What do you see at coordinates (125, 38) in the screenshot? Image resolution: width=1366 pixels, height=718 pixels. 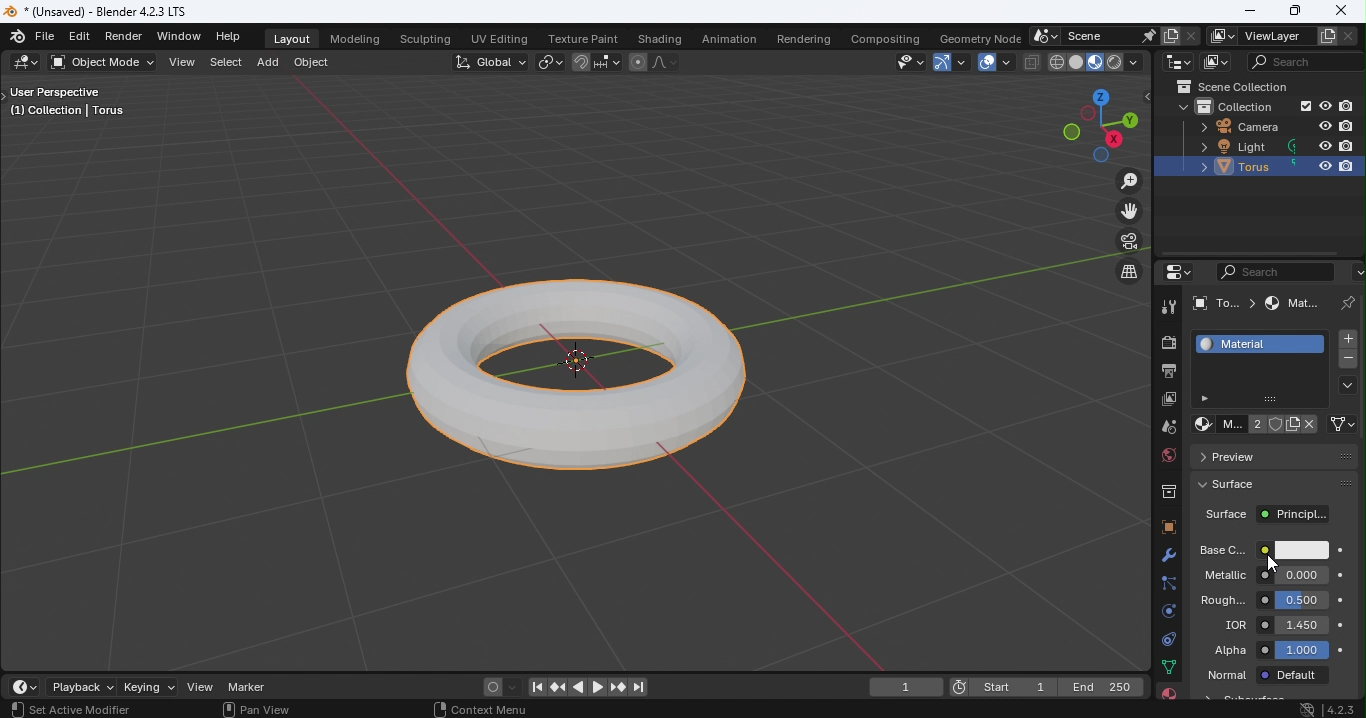 I see `Render` at bounding box center [125, 38].